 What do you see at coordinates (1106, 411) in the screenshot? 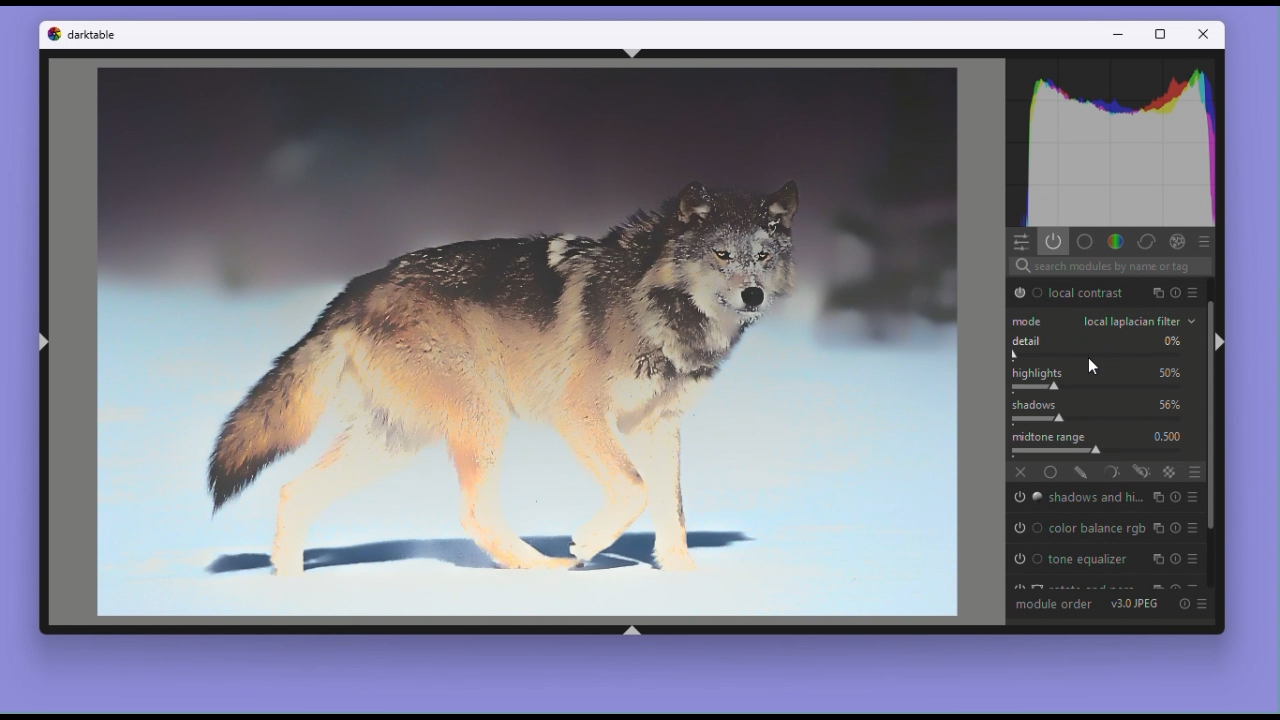
I see `Shadows` at bounding box center [1106, 411].